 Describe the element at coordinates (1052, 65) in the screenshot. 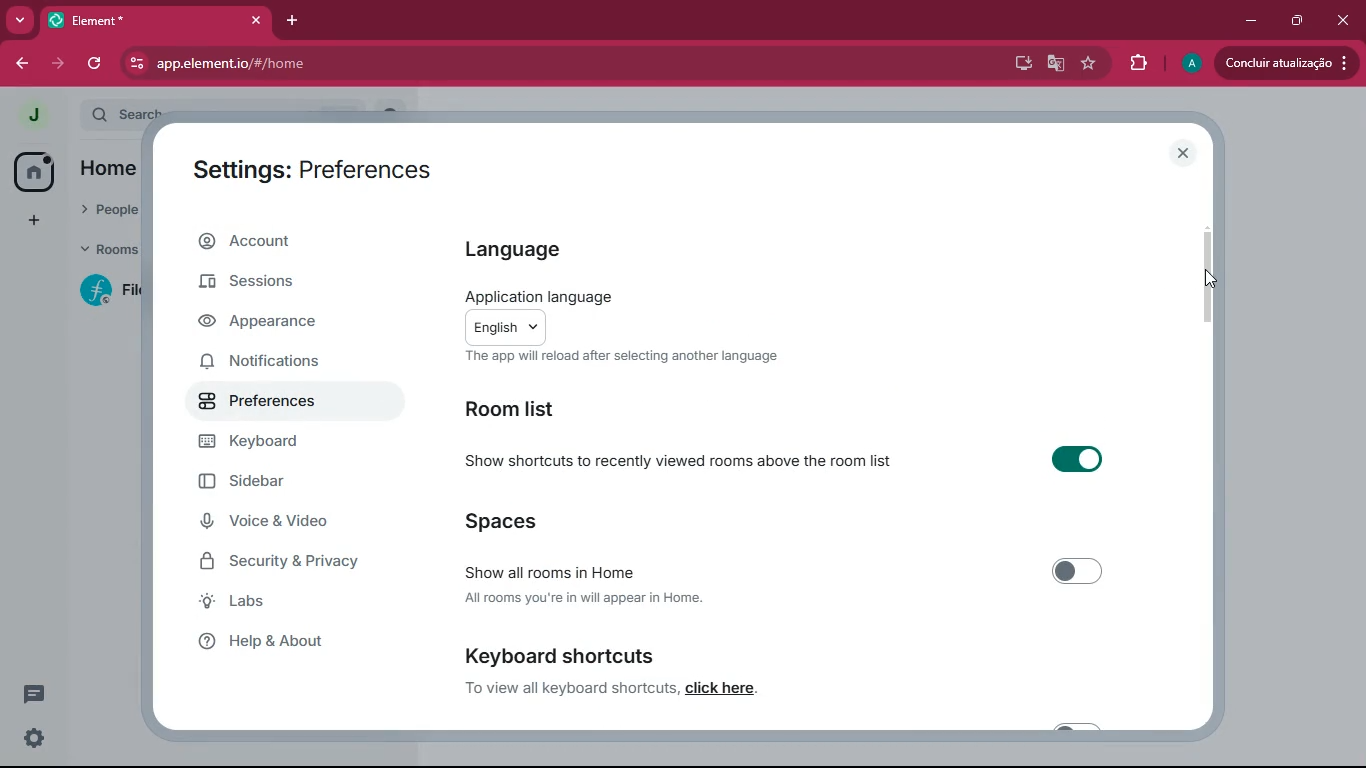

I see `google translate ` at that location.